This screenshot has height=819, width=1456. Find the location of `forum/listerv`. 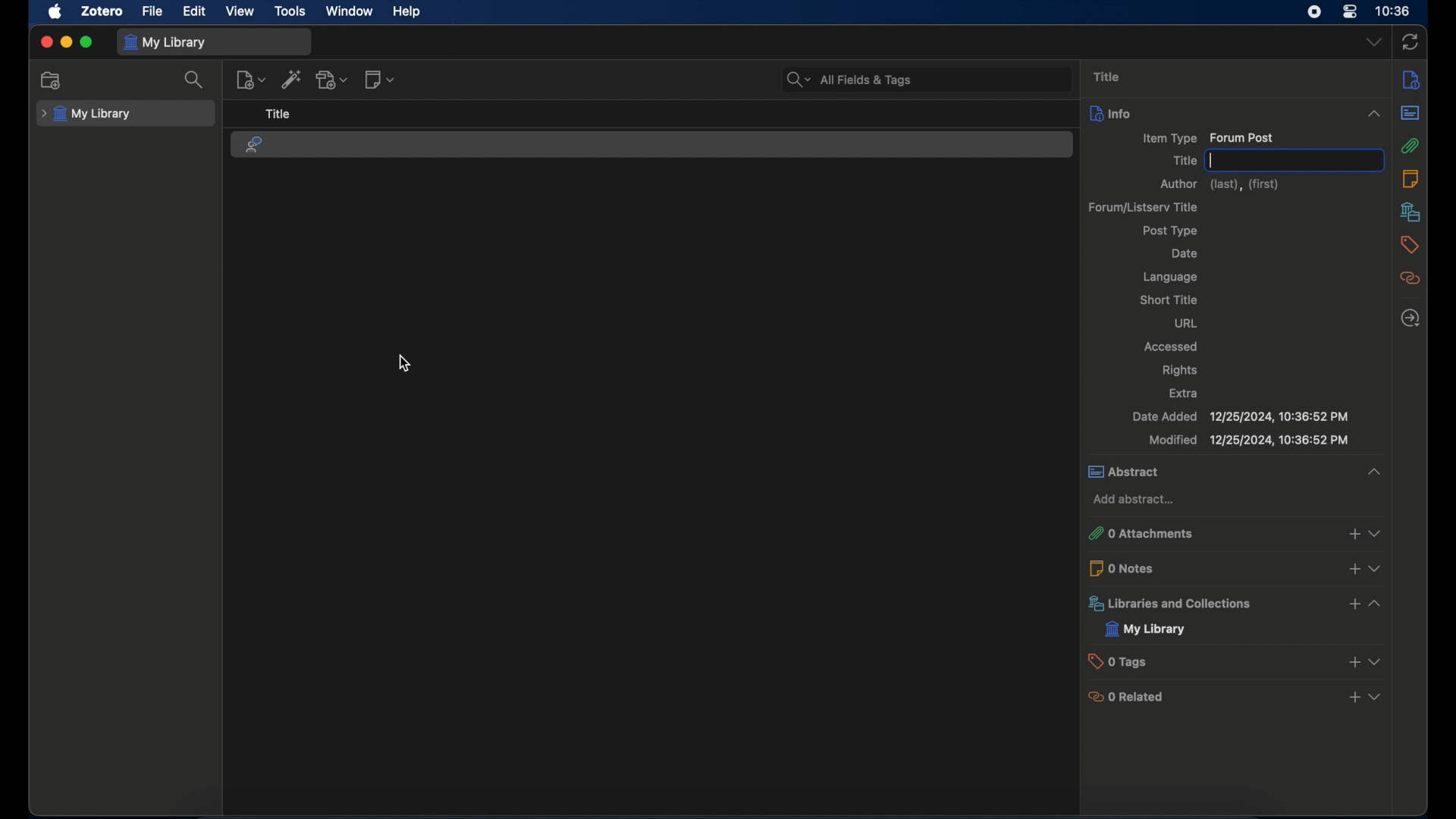

forum/listerv is located at coordinates (1144, 208).